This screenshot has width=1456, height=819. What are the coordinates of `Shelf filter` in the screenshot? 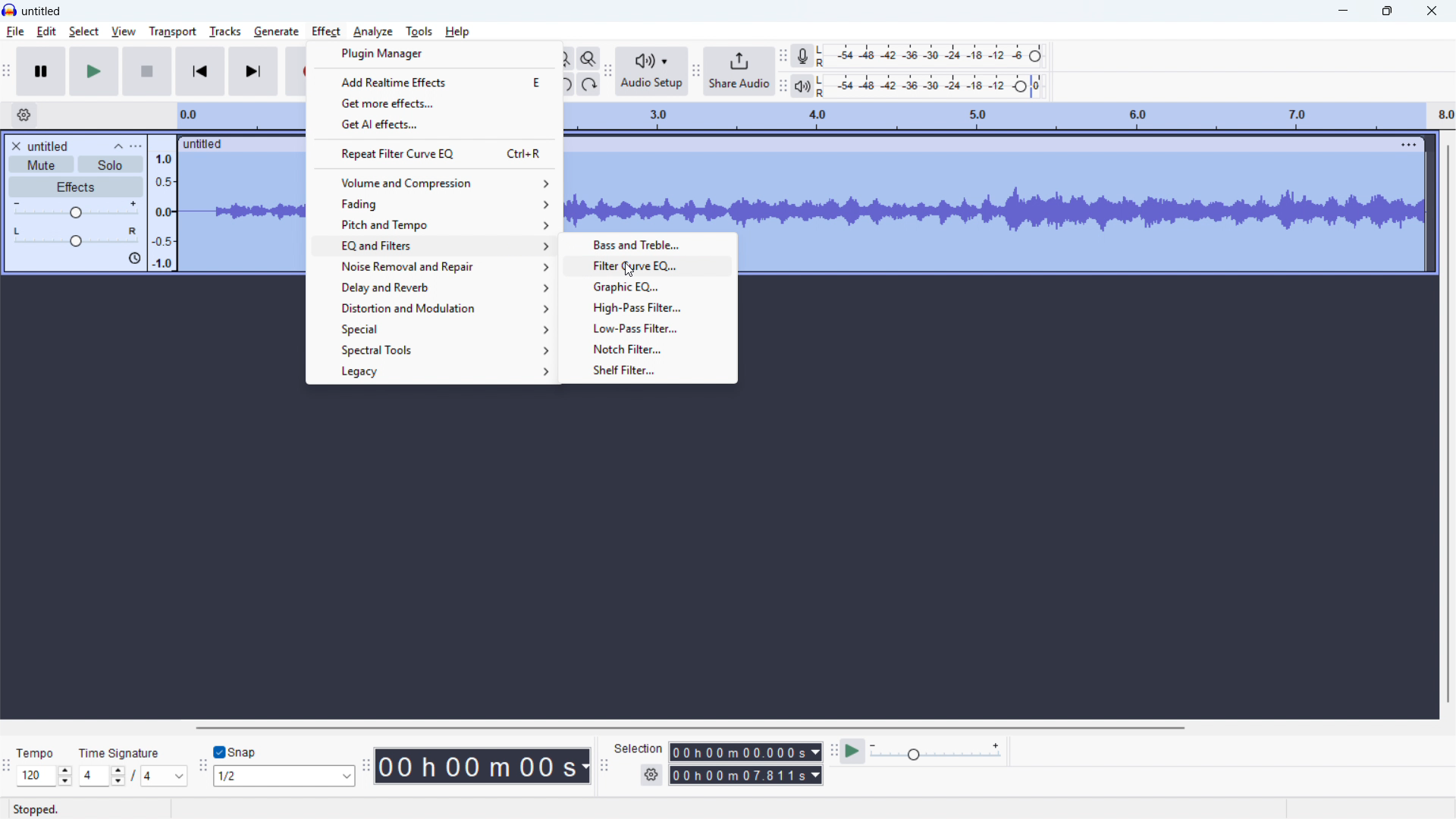 It's located at (645, 369).